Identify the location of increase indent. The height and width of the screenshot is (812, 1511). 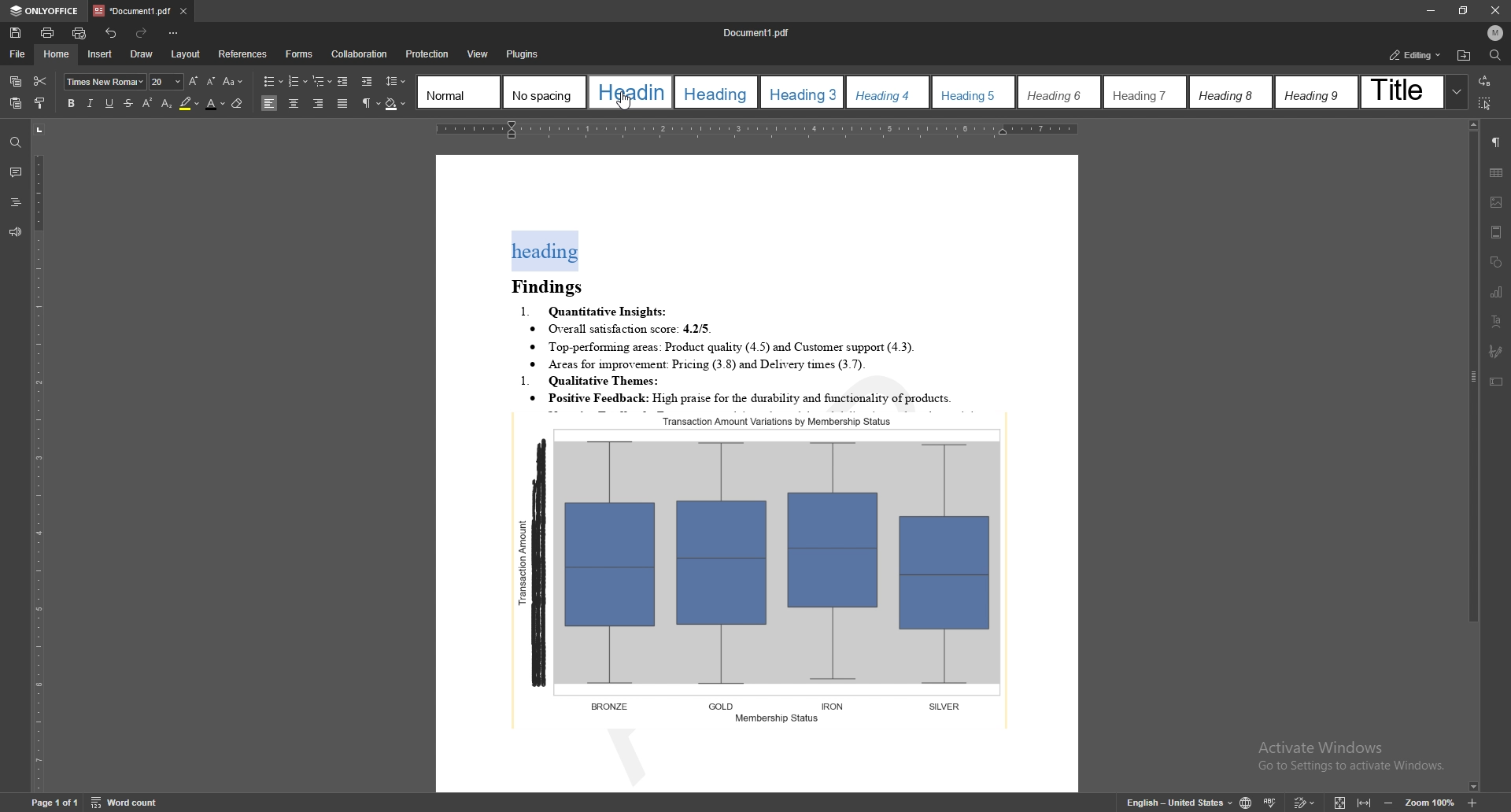
(368, 83).